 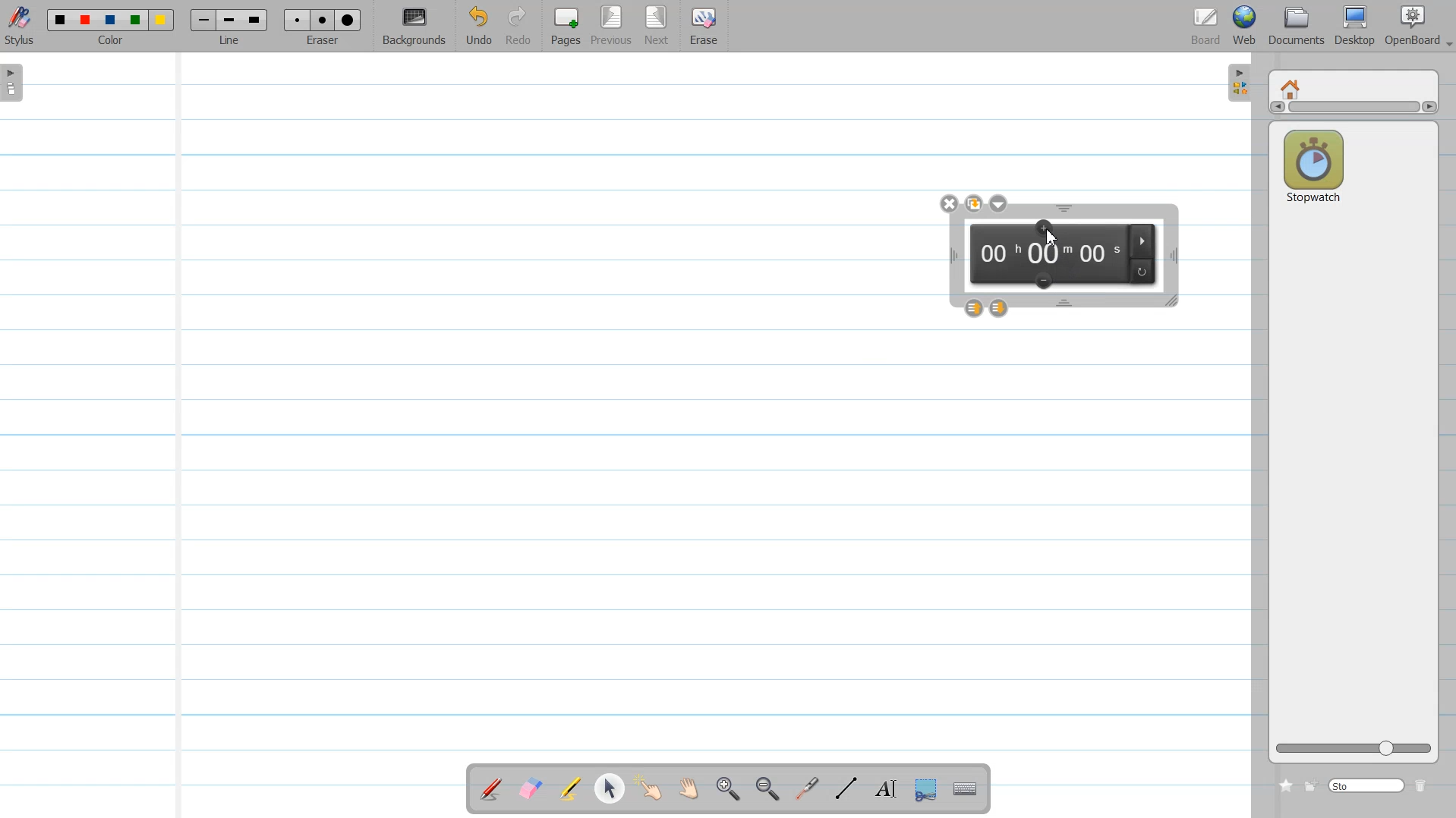 What do you see at coordinates (1410, 26) in the screenshot?
I see `OpenBoard` at bounding box center [1410, 26].